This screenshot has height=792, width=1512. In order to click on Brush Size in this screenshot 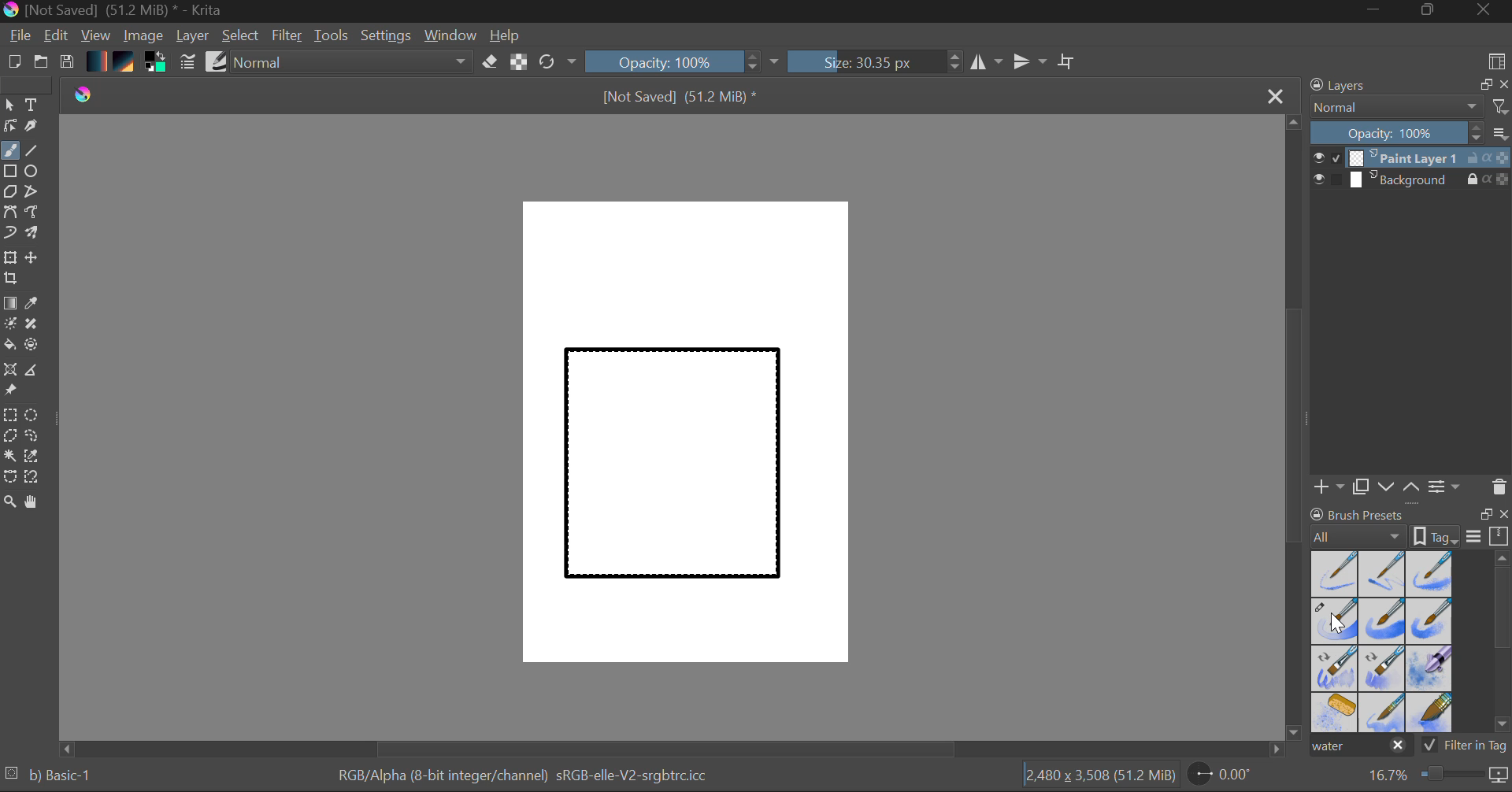, I will do `click(876, 61)`.